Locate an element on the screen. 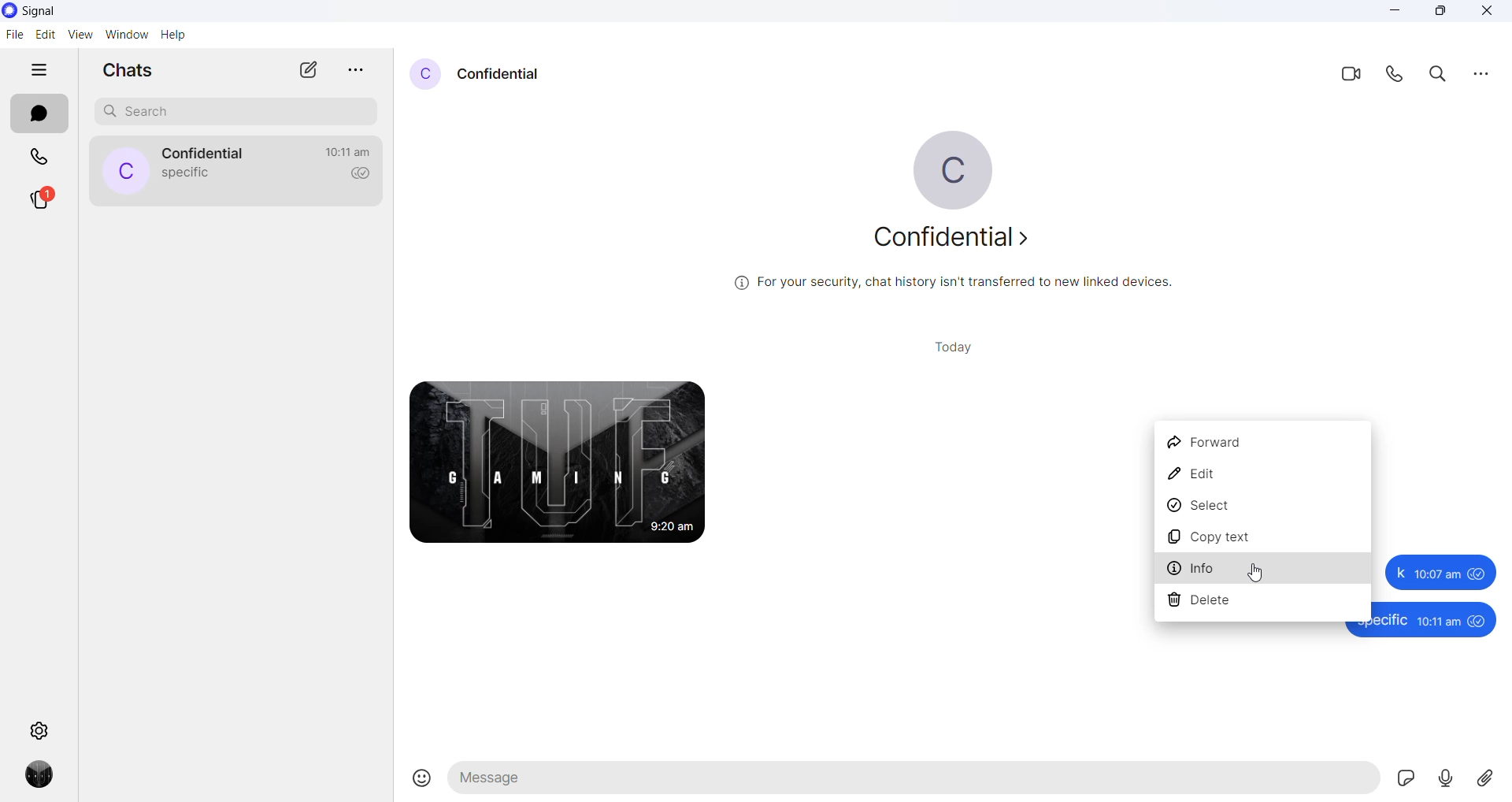 Image resolution: width=1512 pixels, height=802 pixels. select is located at coordinates (1259, 510).